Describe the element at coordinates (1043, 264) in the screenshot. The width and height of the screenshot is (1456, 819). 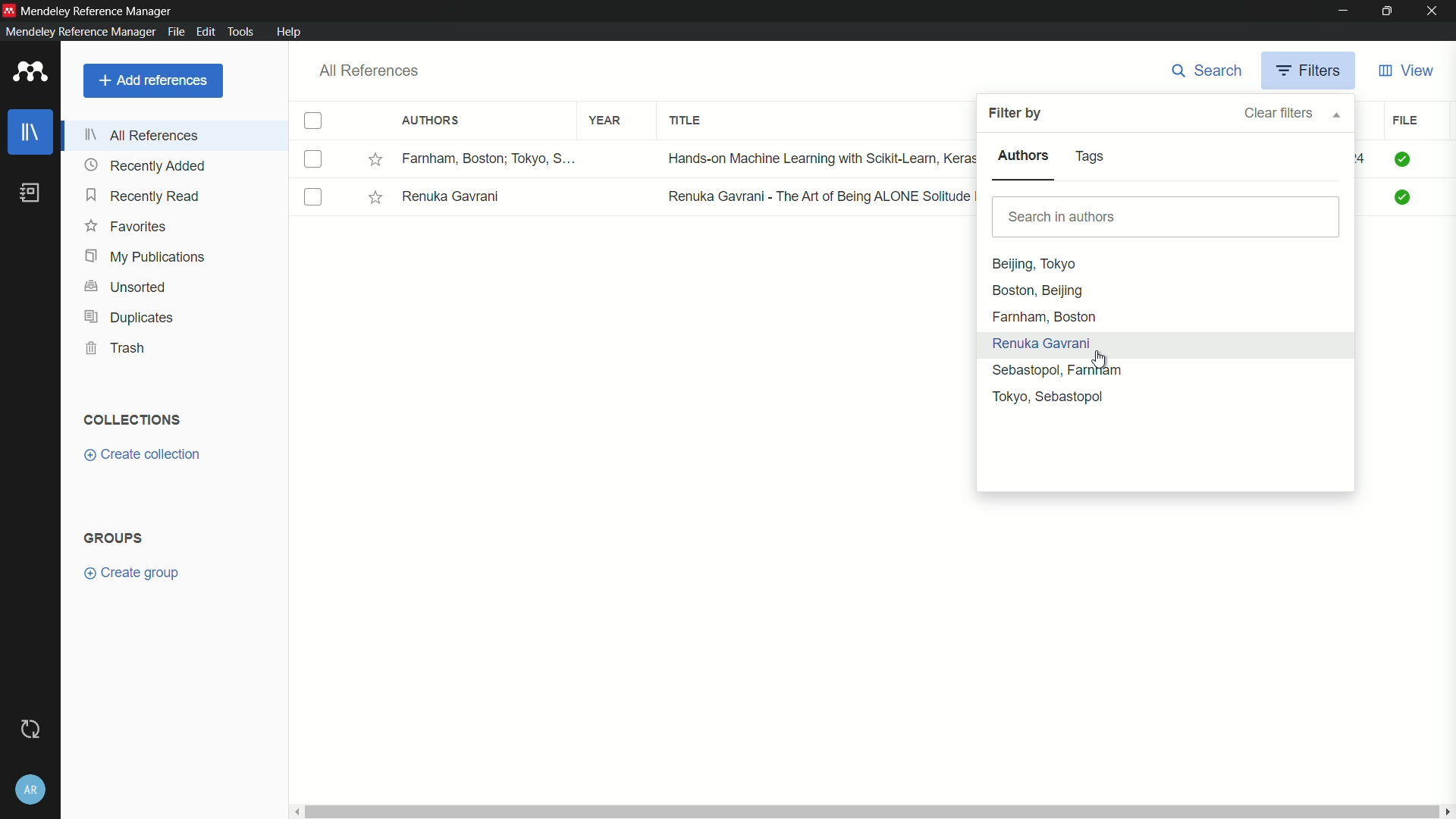
I see `Beijing, Tokyo` at that location.